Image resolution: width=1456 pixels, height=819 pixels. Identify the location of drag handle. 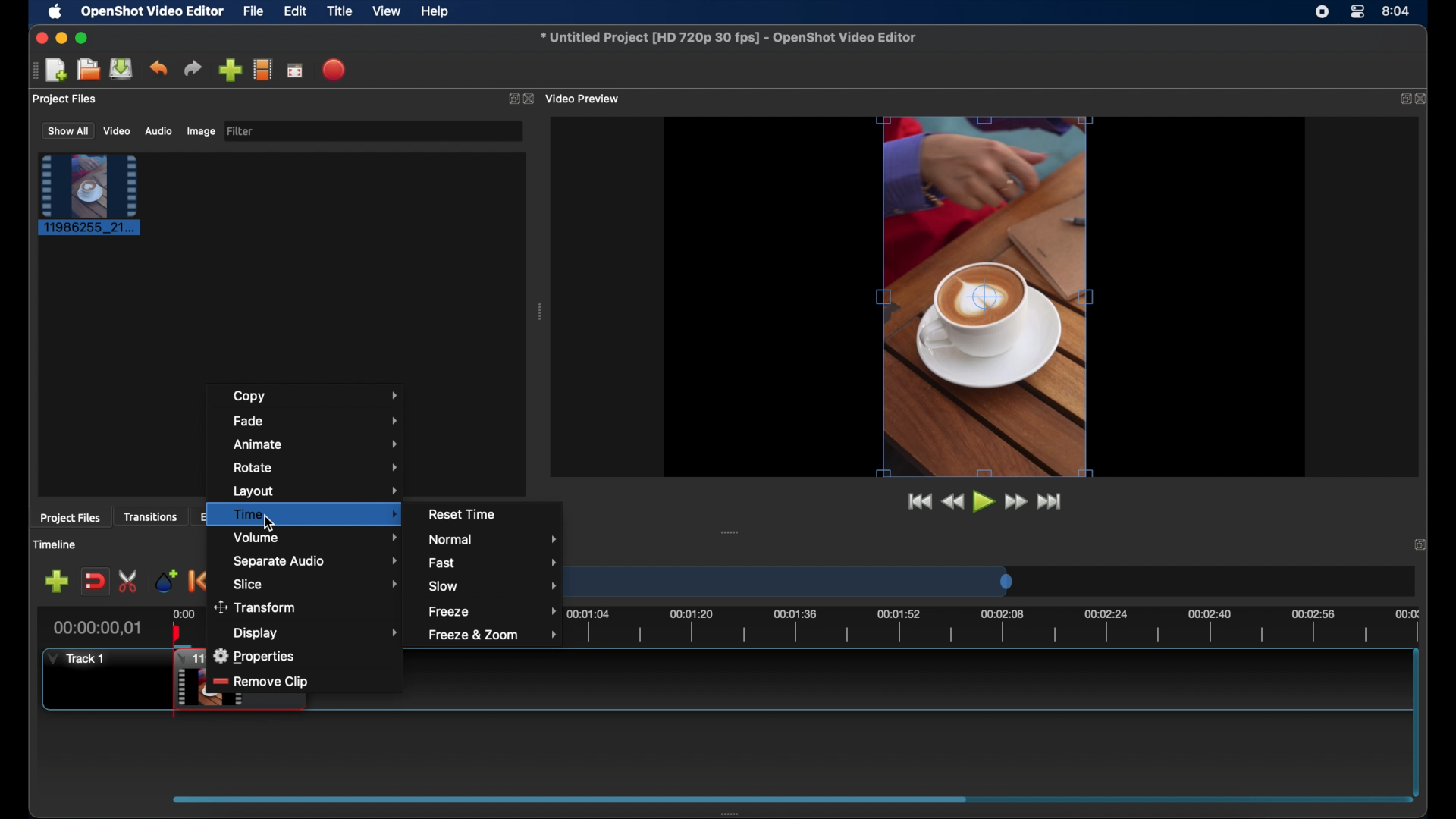
(32, 71).